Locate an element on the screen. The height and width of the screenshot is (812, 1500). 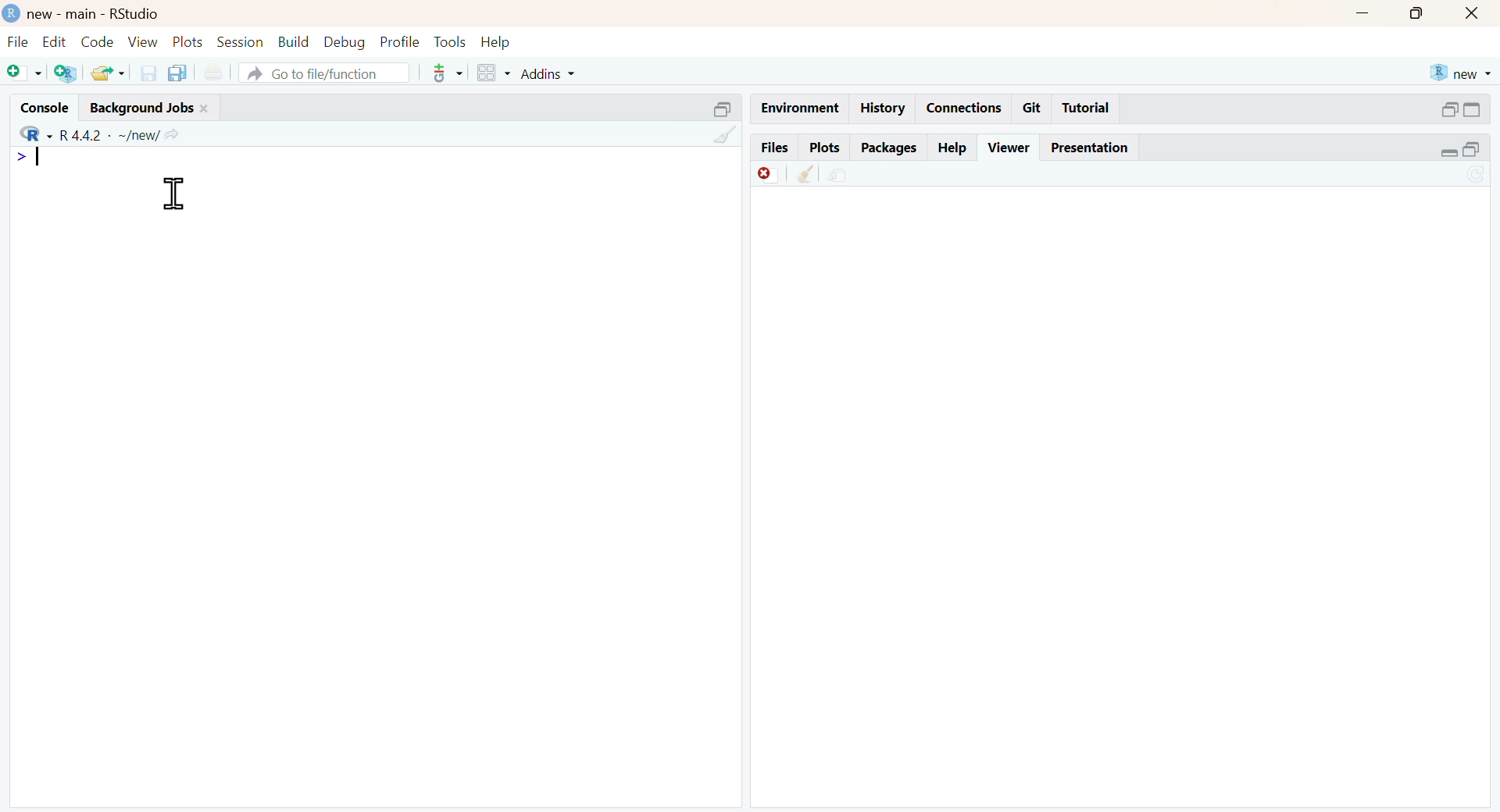
view is located at coordinates (143, 43).